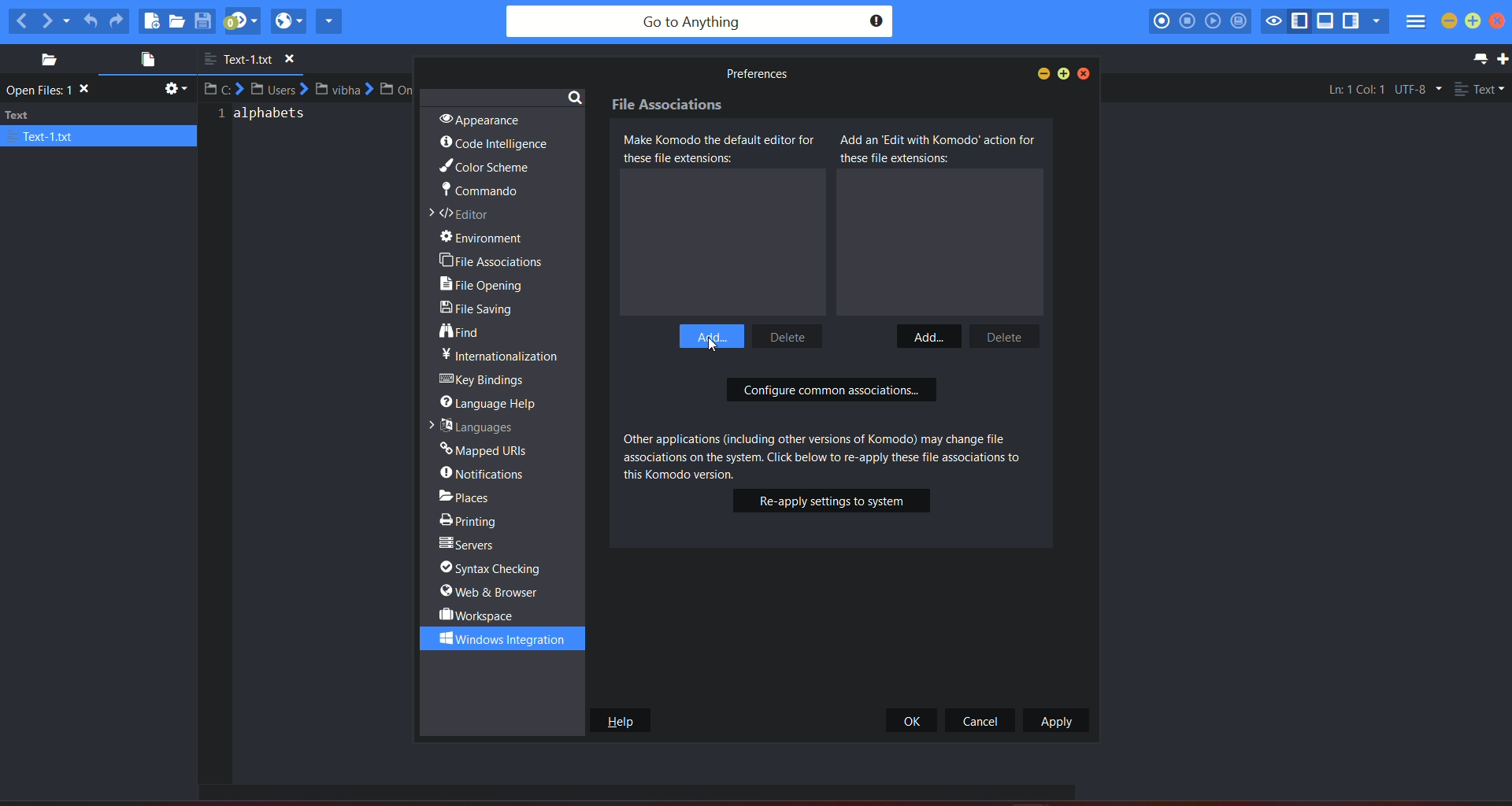 The width and height of the screenshot is (1512, 806). I want to click on maximize, so click(1065, 73).